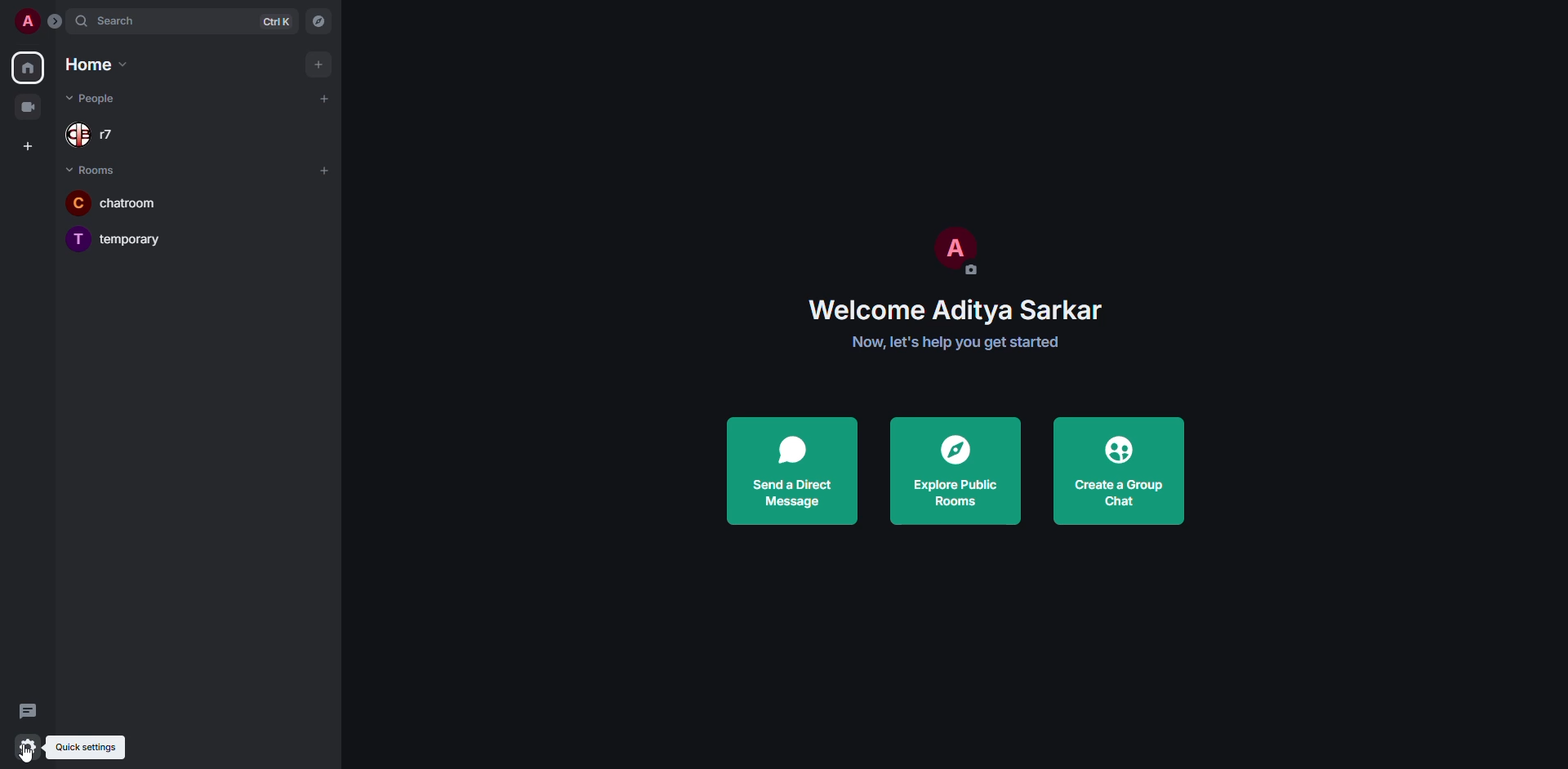 The image size is (1568, 769). I want to click on rooms, so click(91, 170).